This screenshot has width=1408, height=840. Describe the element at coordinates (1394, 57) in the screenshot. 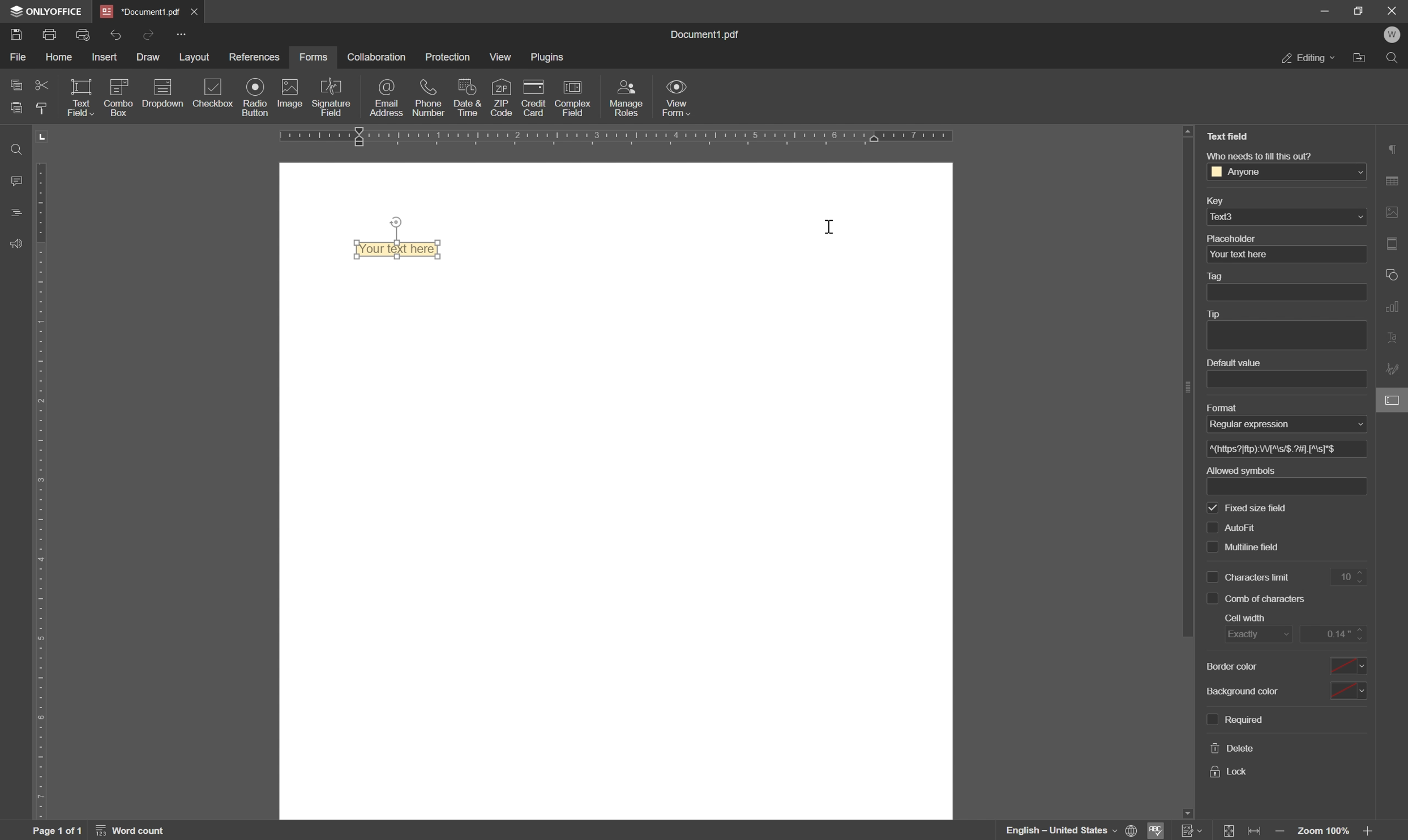

I see `find` at that location.